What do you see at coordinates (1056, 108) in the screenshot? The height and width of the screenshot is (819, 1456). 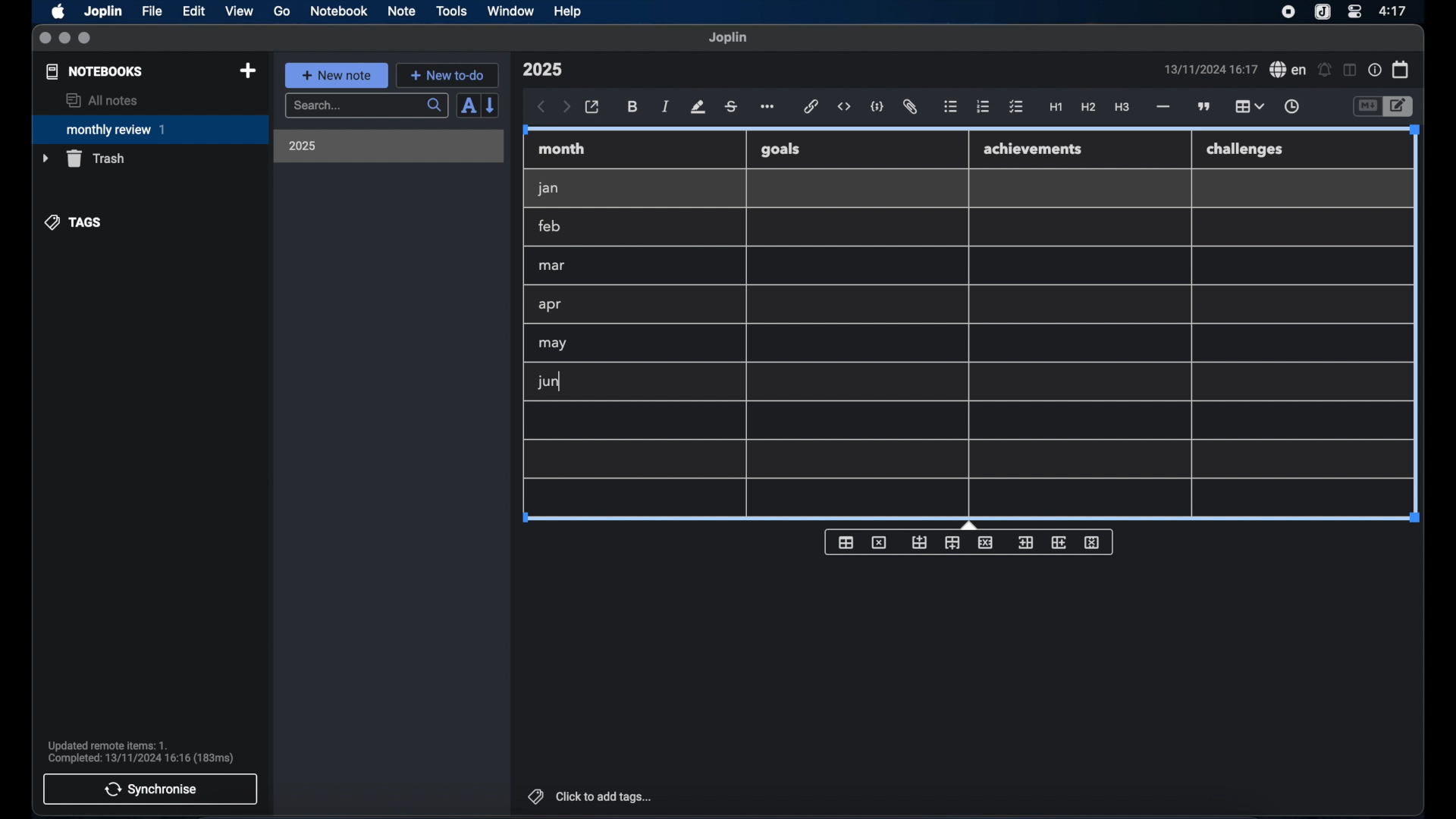 I see `heading 1` at bounding box center [1056, 108].